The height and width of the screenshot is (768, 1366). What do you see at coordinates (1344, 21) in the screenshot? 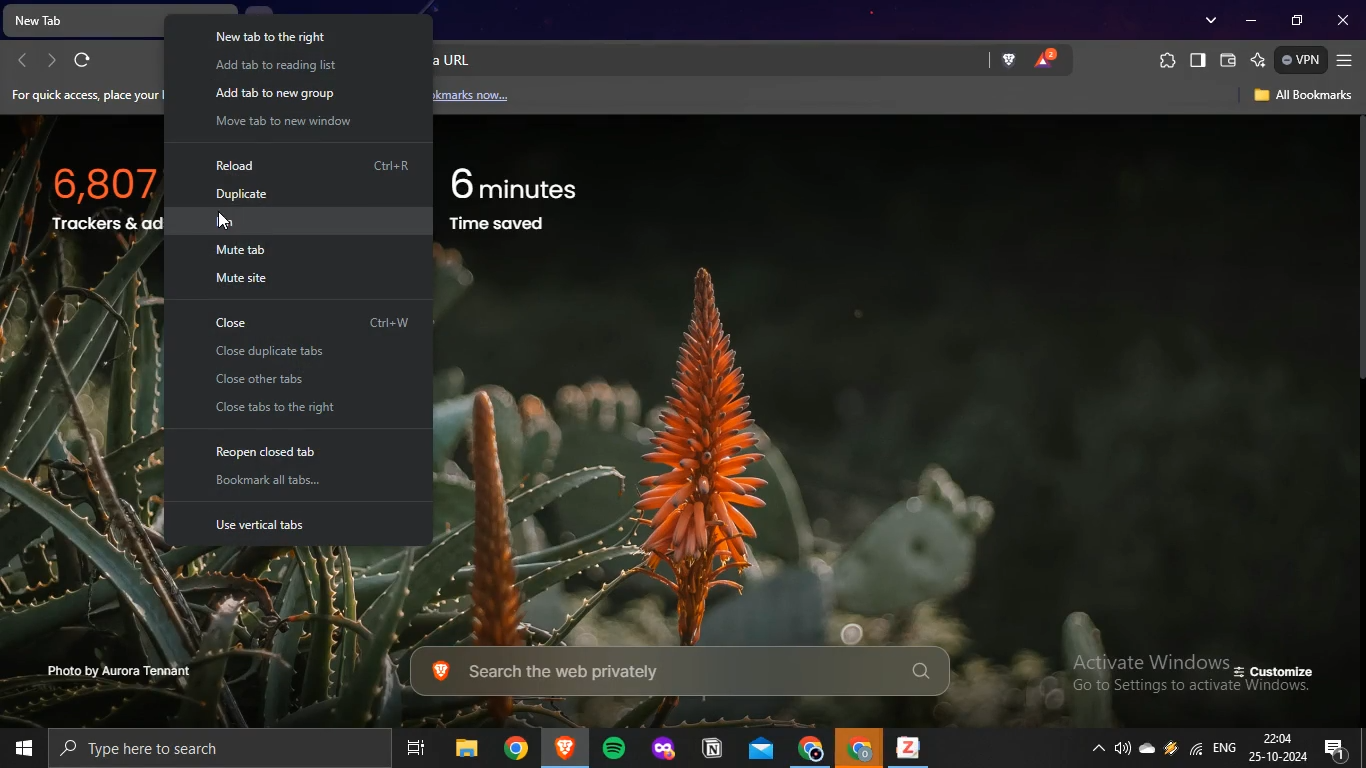
I see `close` at bounding box center [1344, 21].